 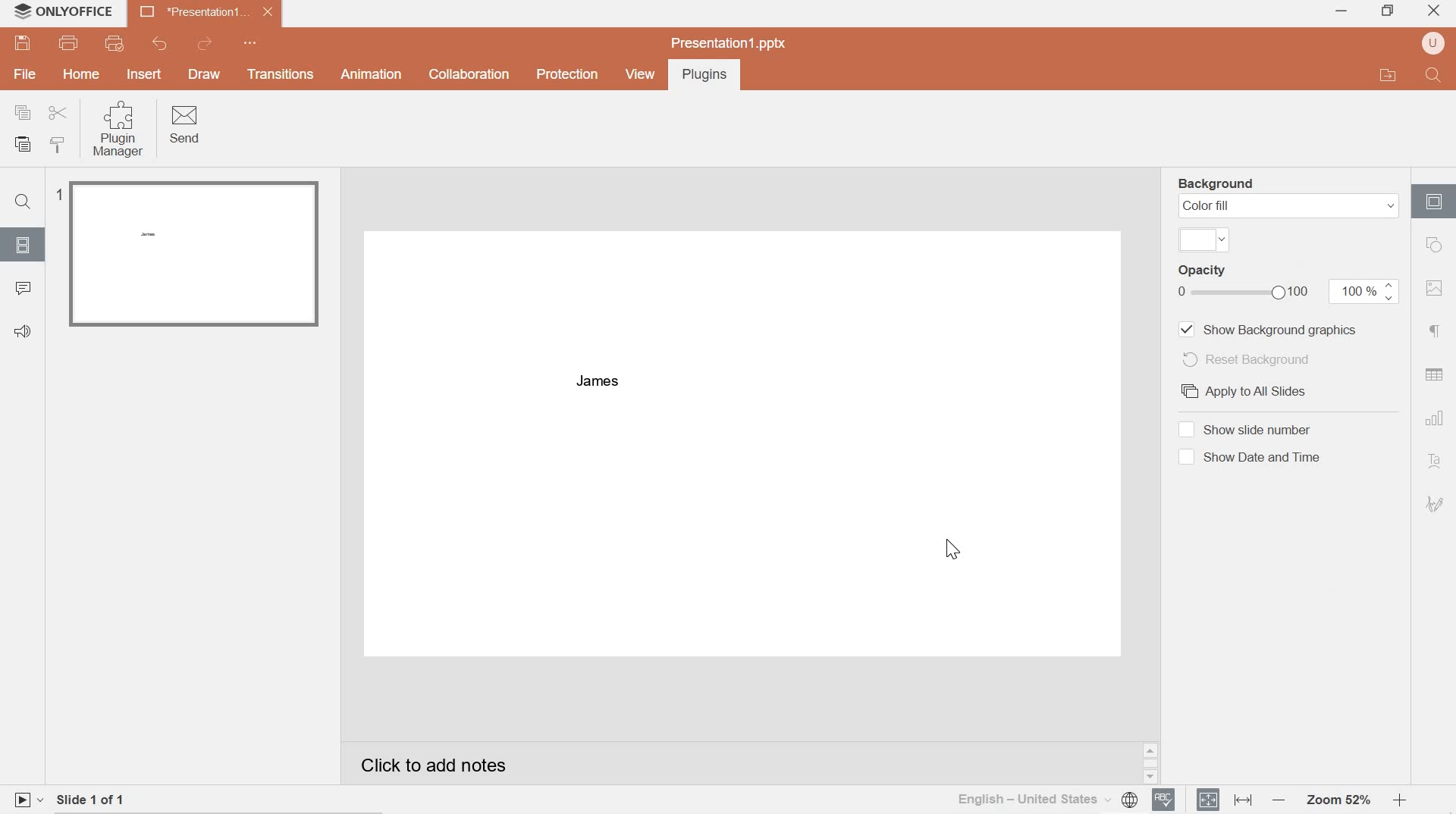 What do you see at coordinates (1387, 9) in the screenshot?
I see `restore down` at bounding box center [1387, 9].